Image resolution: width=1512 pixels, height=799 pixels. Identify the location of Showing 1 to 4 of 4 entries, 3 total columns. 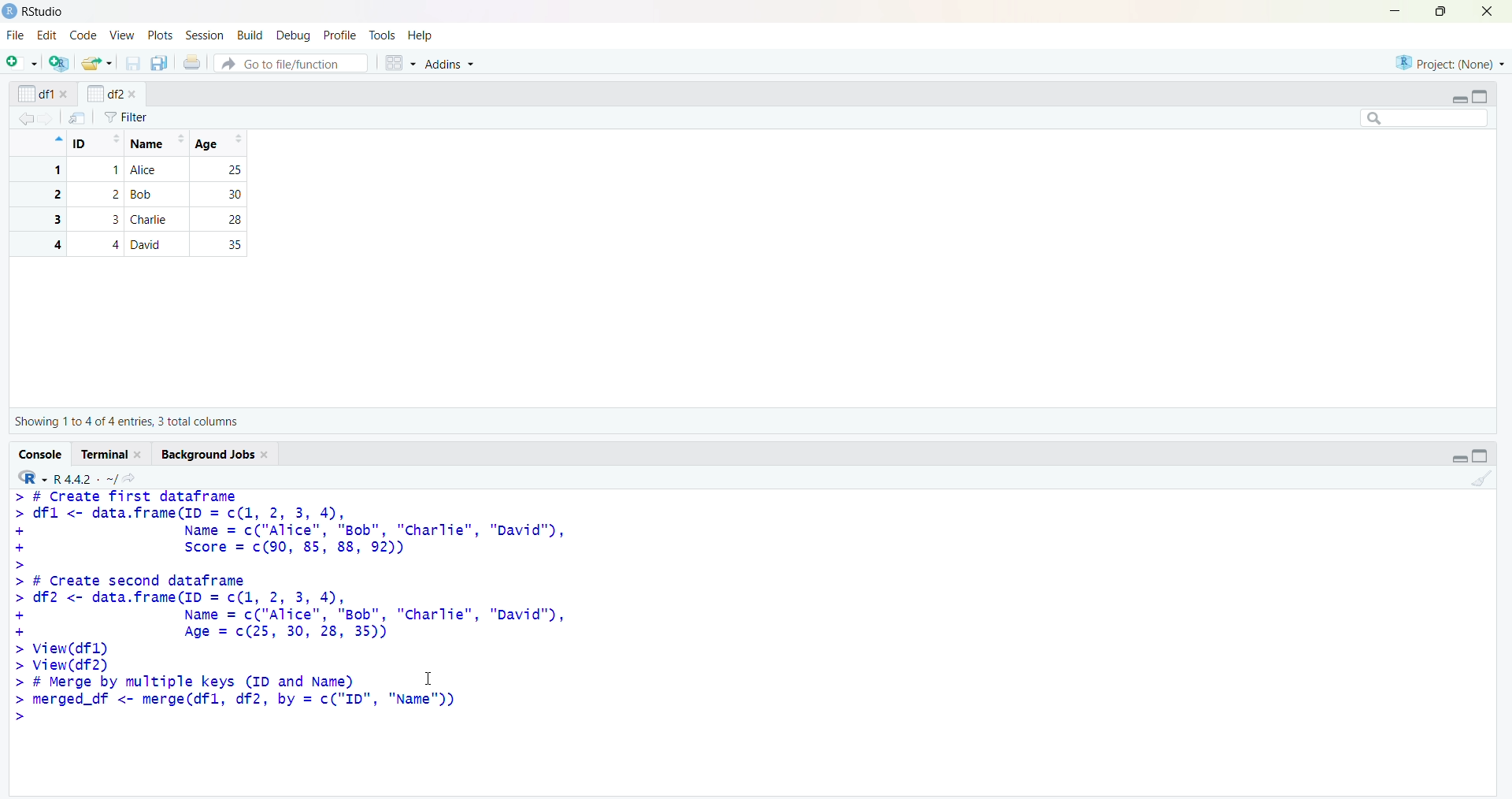
(126, 422).